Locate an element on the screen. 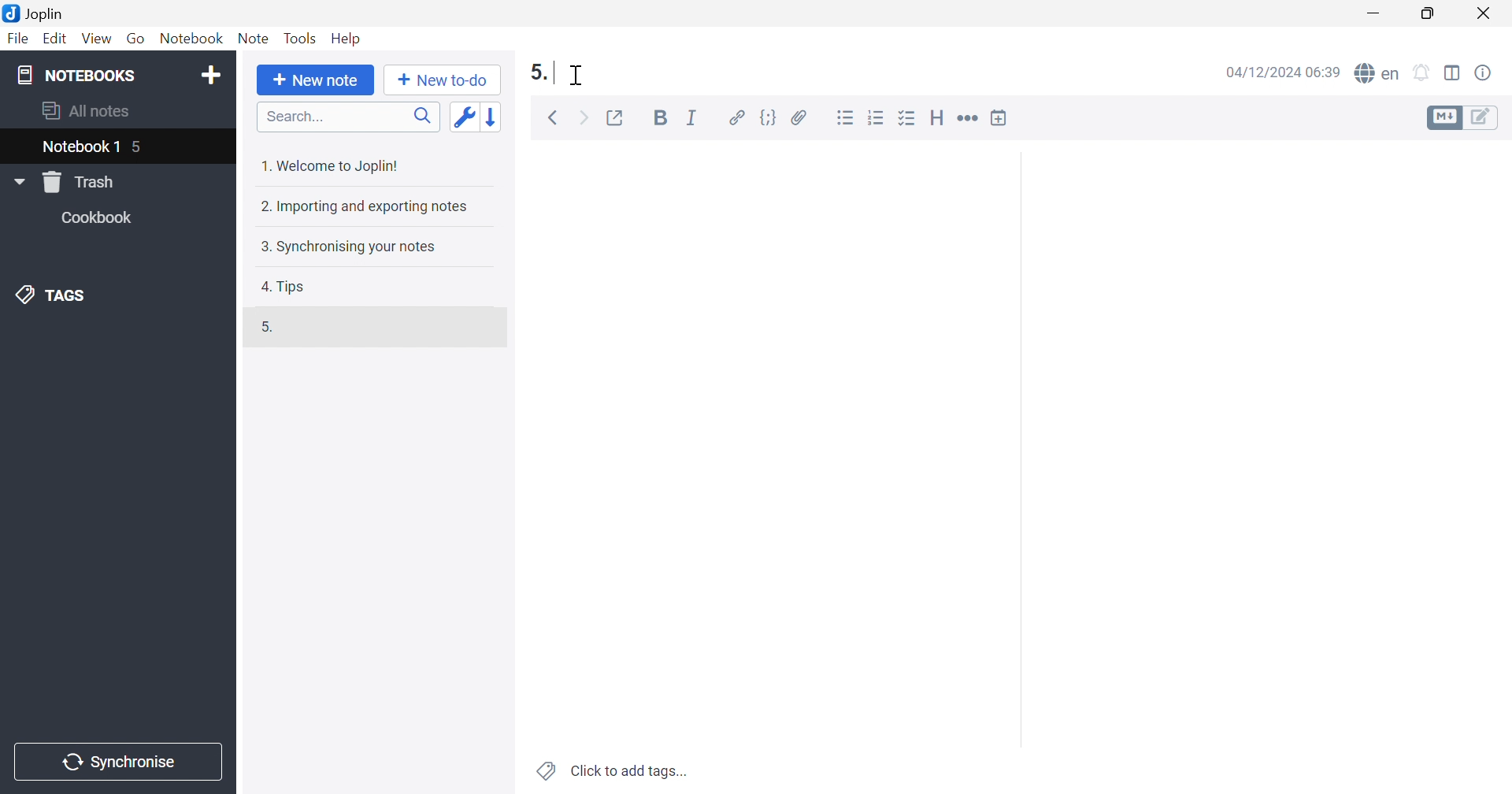 This screenshot has height=794, width=1512. Forward is located at coordinates (585, 117).